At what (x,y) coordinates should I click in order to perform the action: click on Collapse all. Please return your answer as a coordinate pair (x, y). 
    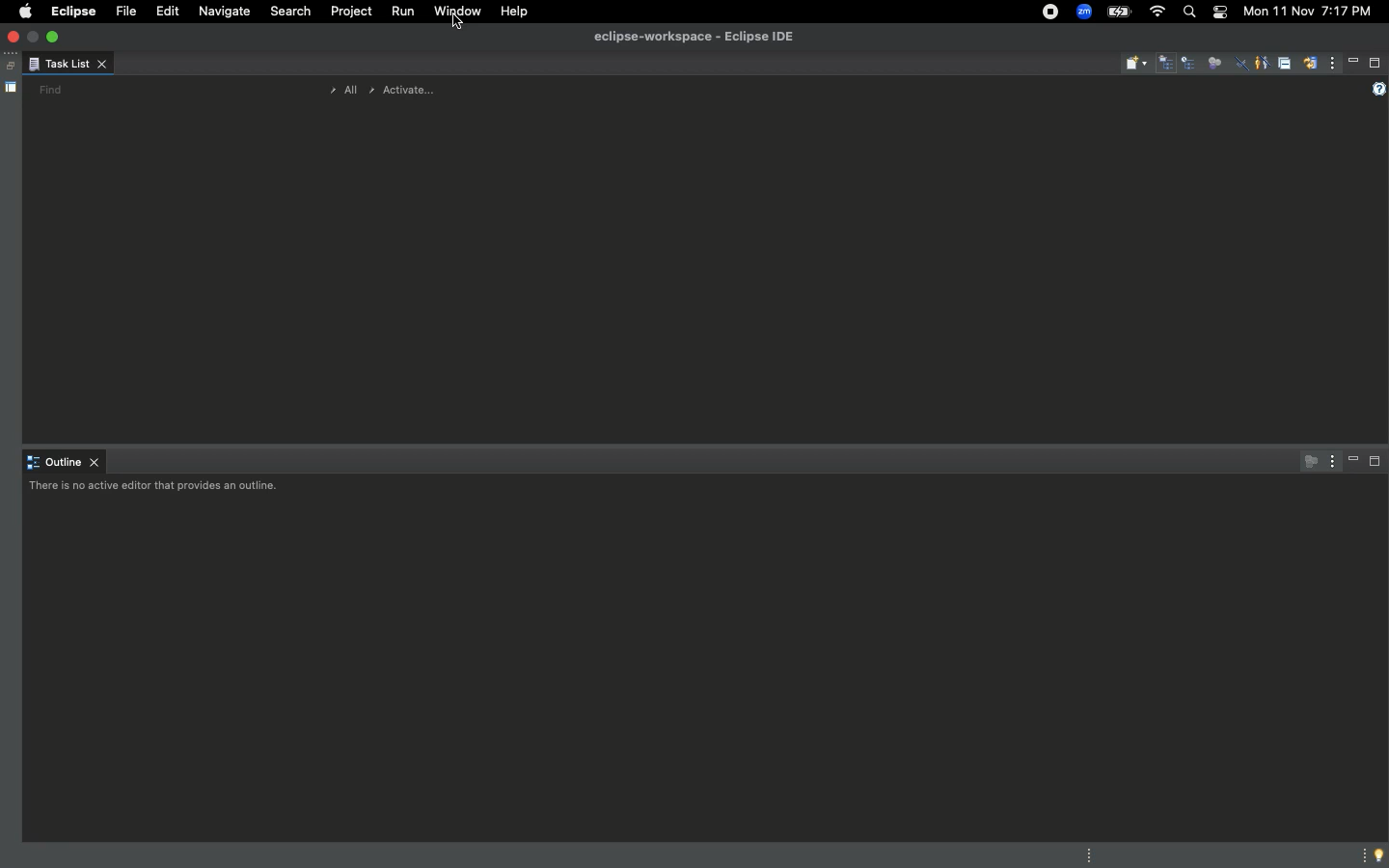
    Looking at the image, I should click on (1284, 66).